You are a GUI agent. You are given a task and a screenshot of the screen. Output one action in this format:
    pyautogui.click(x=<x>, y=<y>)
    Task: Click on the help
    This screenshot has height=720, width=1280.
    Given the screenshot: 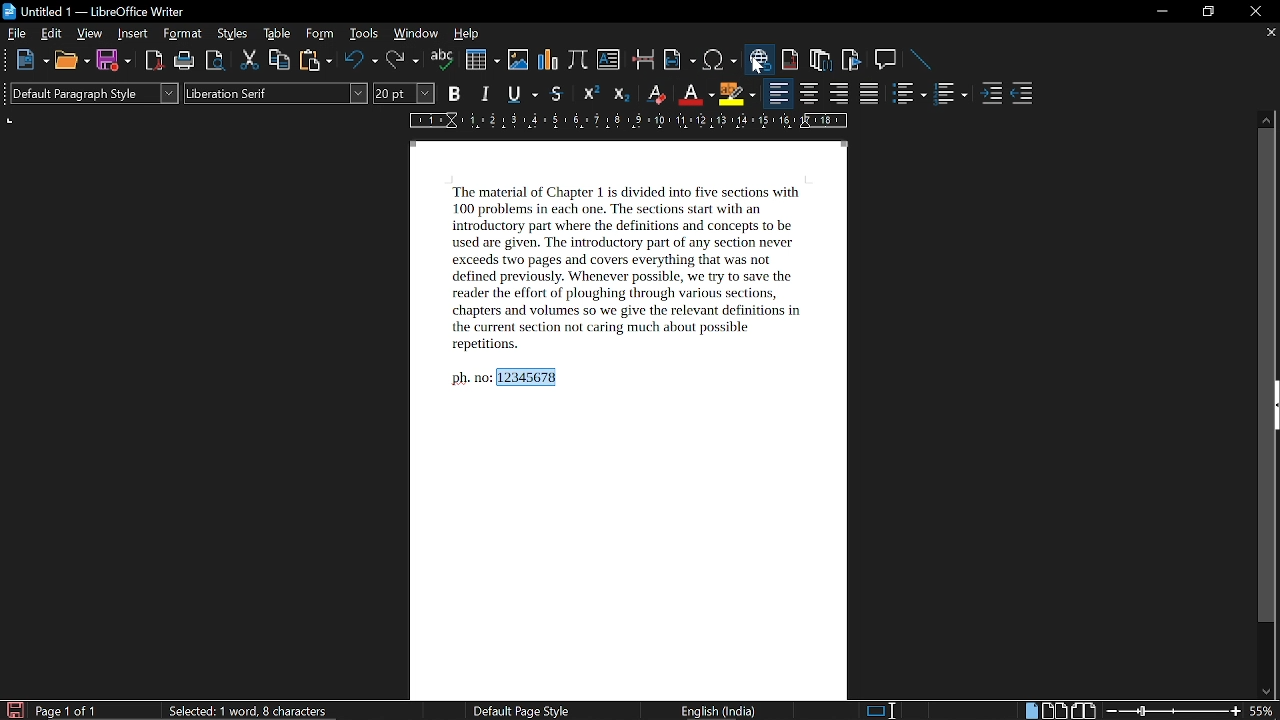 What is the action you would take?
    pyautogui.click(x=466, y=36)
    